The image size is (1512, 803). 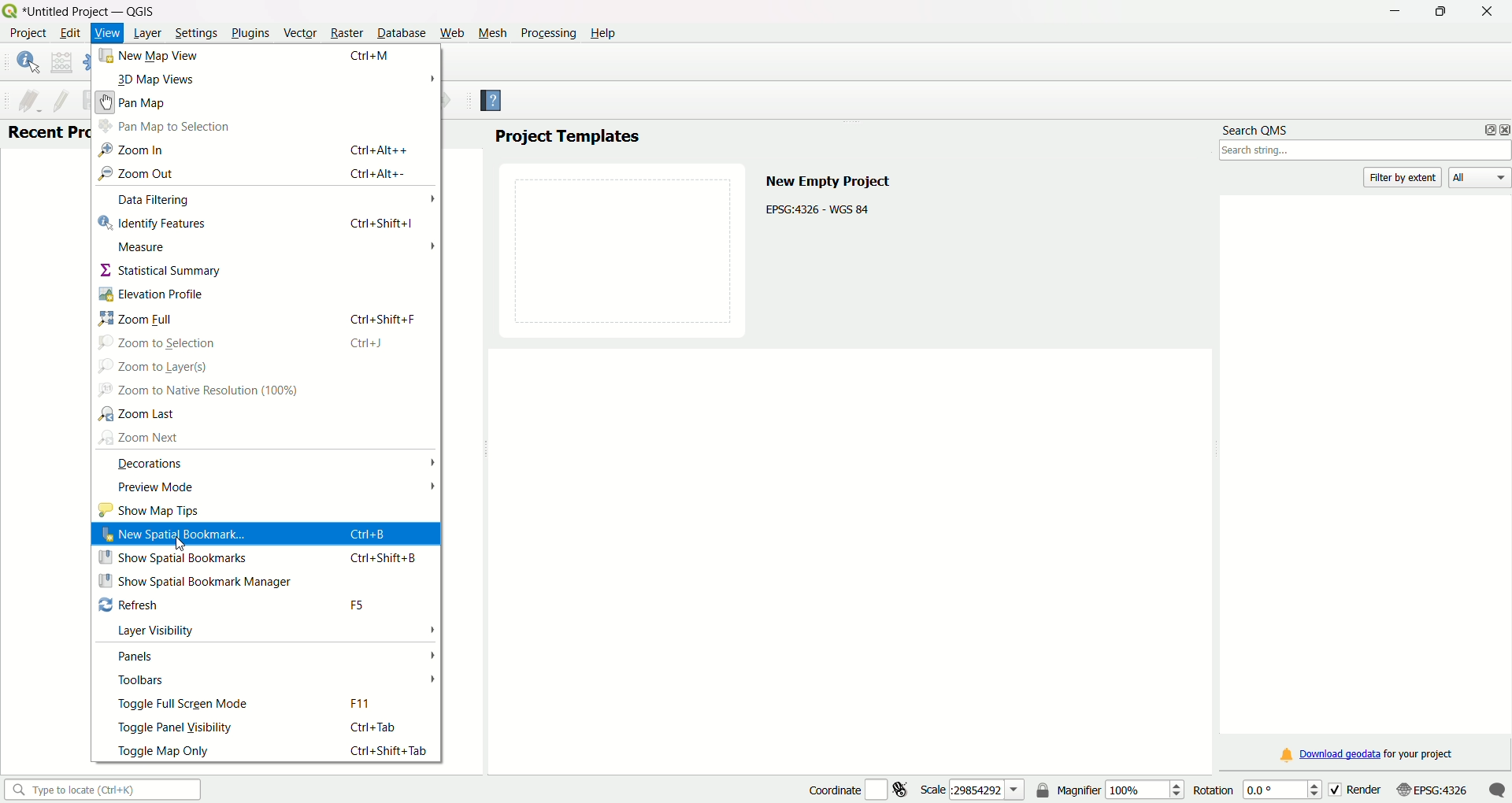 What do you see at coordinates (827, 179) in the screenshot?
I see `New empty project` at bounding box center [827, 179].